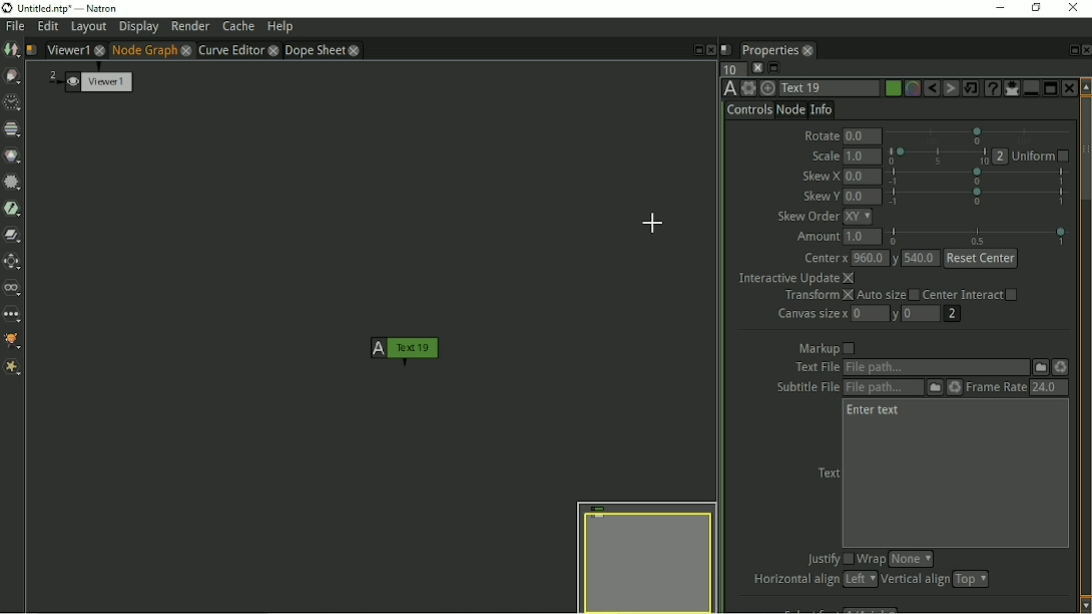 This screenshot has width=1092, height=614. What do you see at coordinates (823, 256) in the screenshot?
I see `Center` at bounding box center [823, 256].